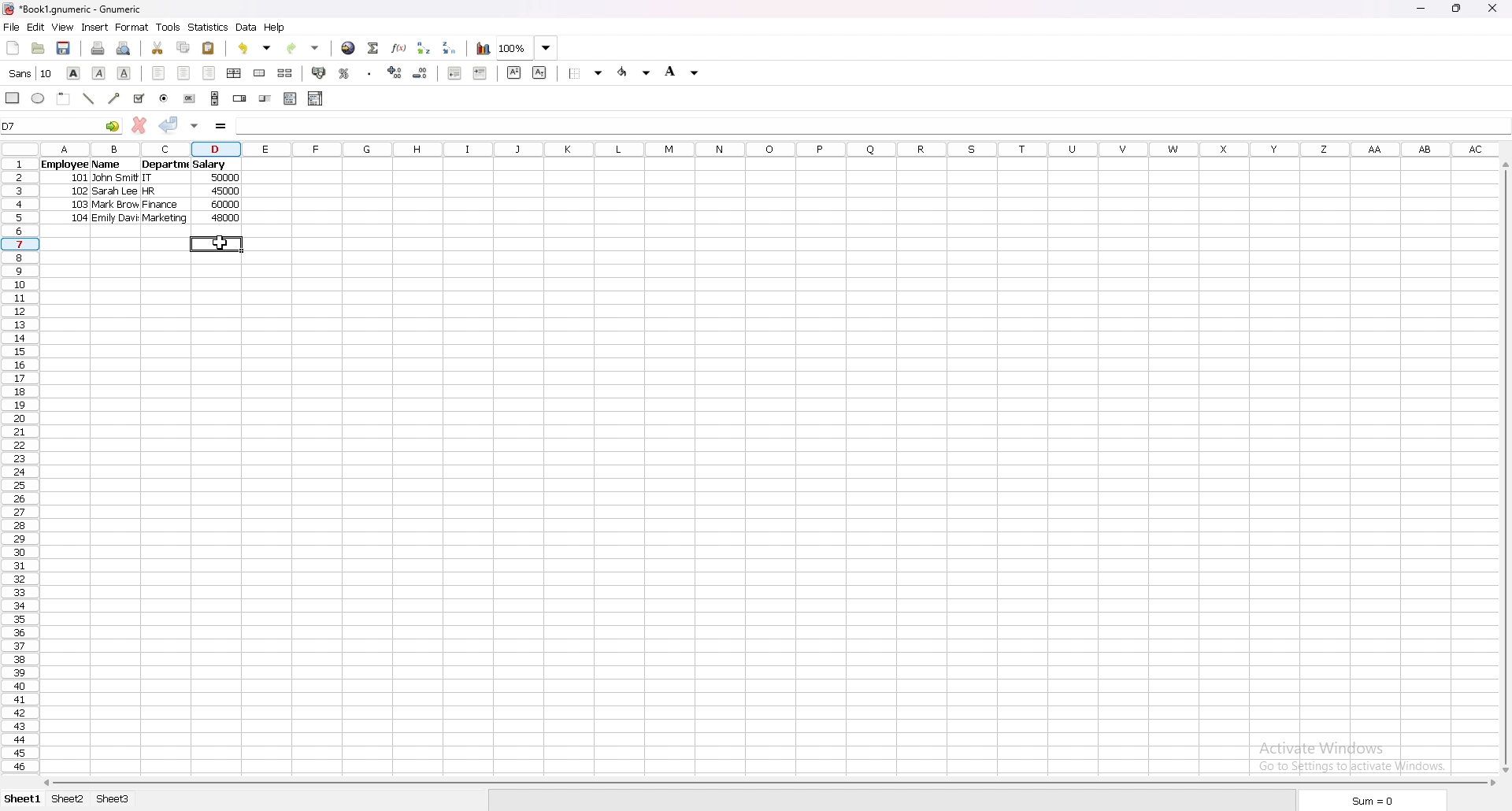 This screenshot has width=1512, height=811. Describe the element at coordinates (114, 206) in the screenshot. I see `mark brown` at that location.